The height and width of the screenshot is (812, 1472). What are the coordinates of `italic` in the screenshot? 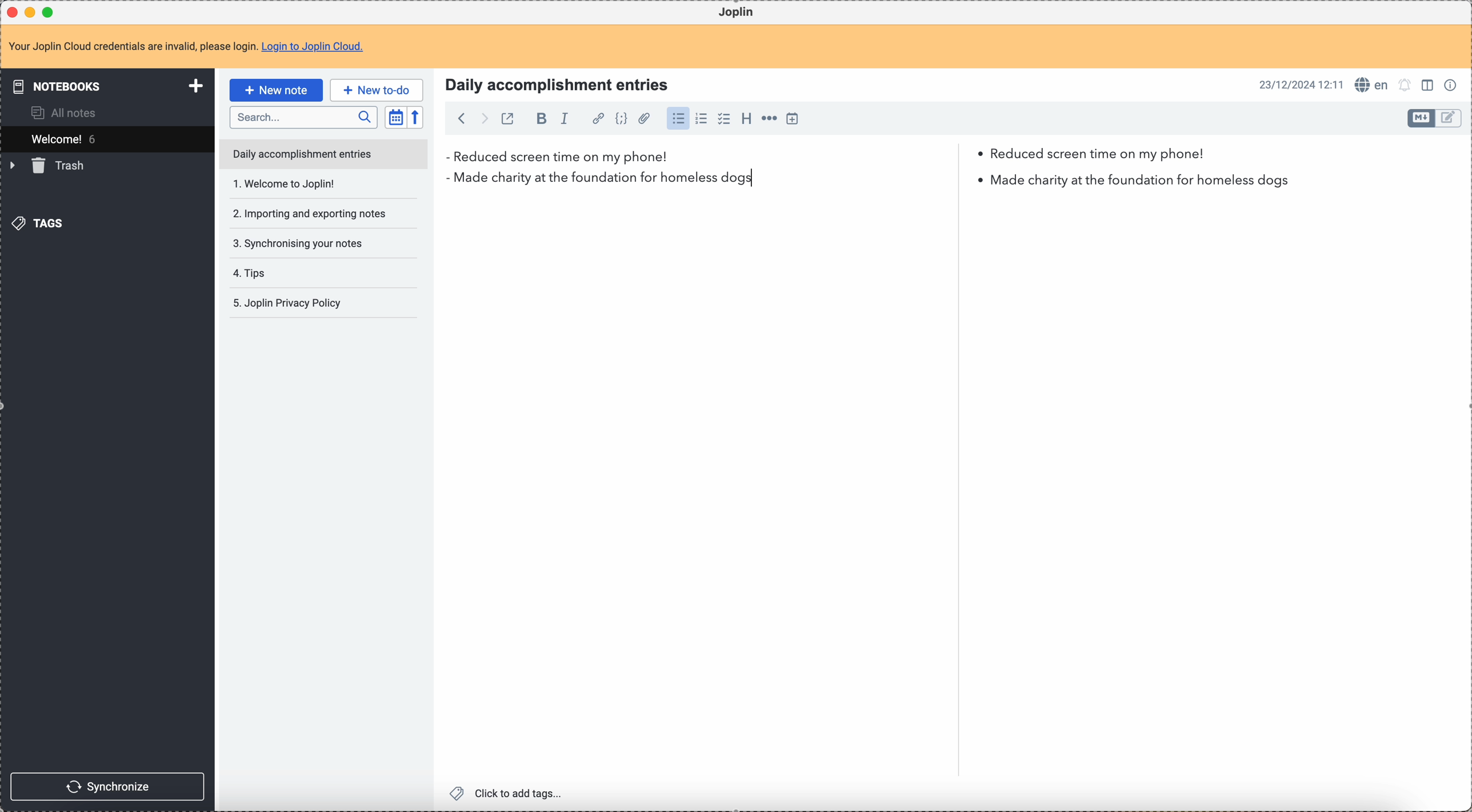 It's located at (570, 119).